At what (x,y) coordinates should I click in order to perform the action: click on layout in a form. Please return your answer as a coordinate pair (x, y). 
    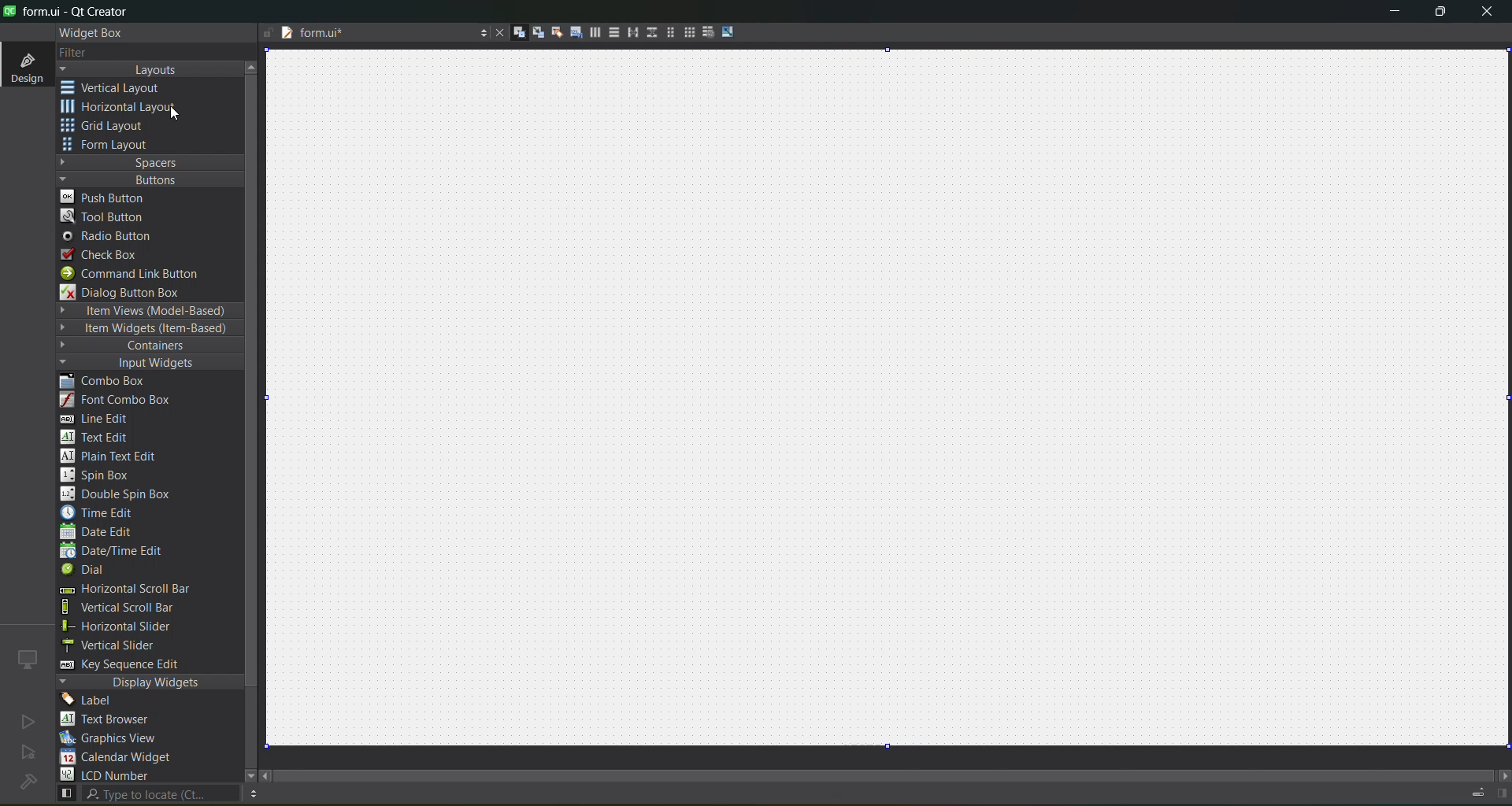
    Looking at the image, I should click on (665, 32).